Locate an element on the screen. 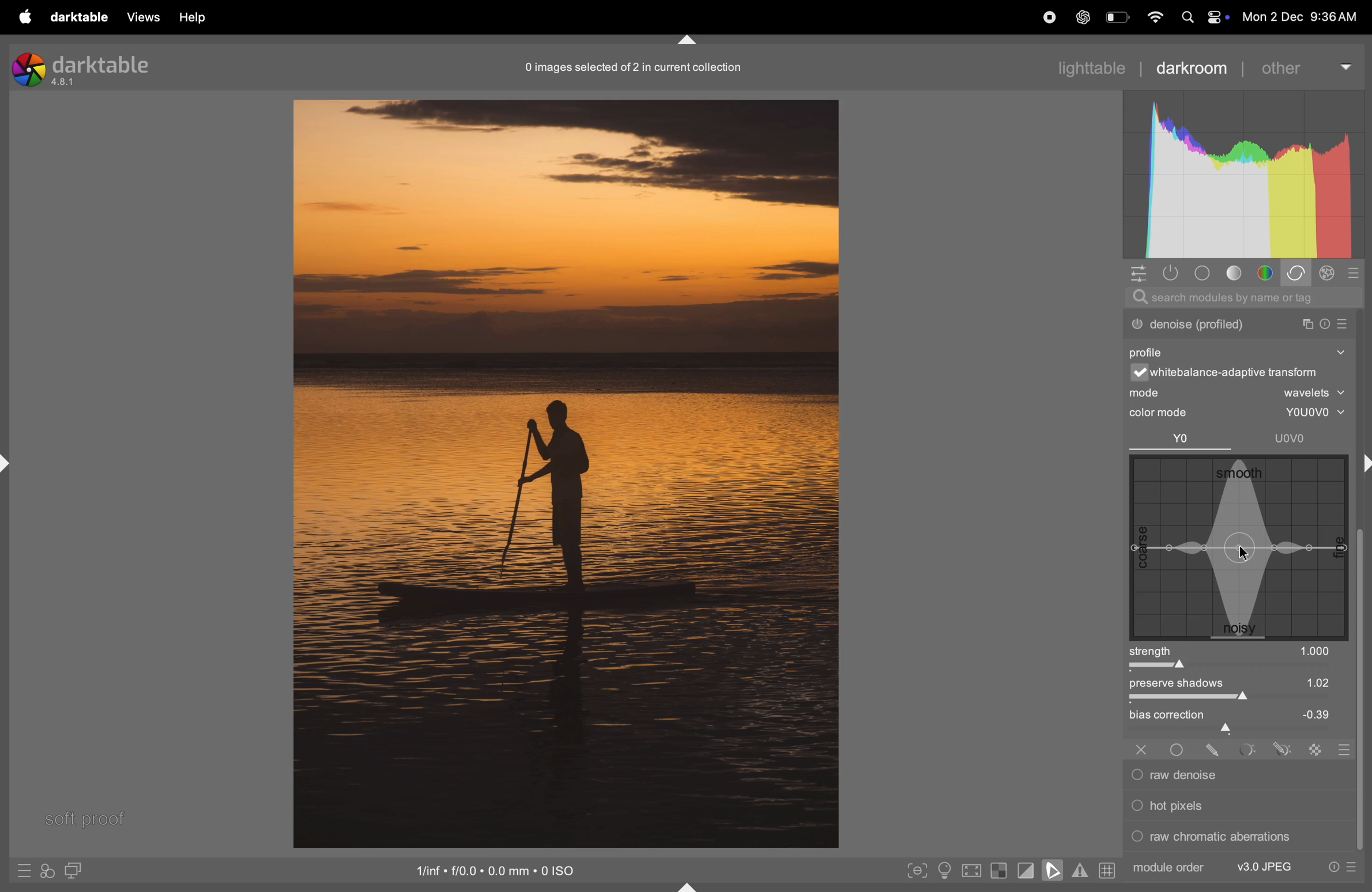 The width and height of the screenshot is (1372, 892). toggle high quality processing is located at coordinates (972, 870).